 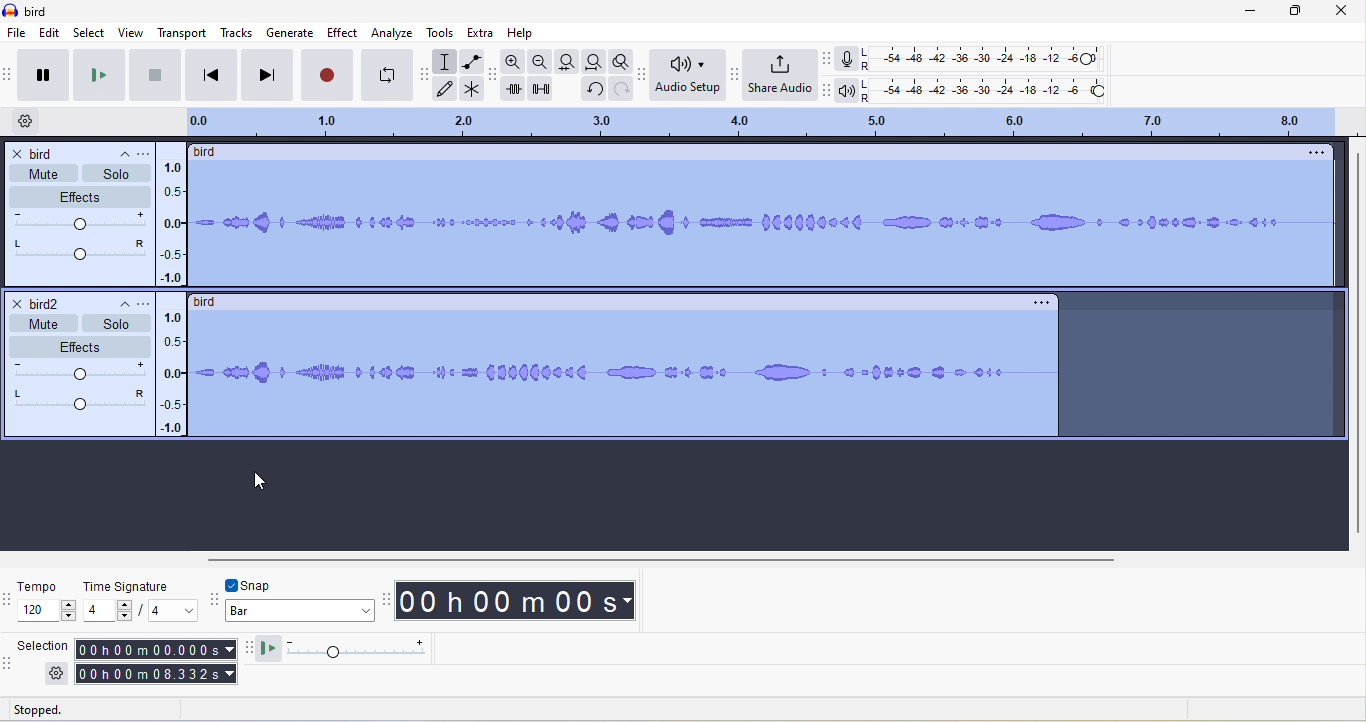 I want to click on enable looping, so click(x=385, y=75).